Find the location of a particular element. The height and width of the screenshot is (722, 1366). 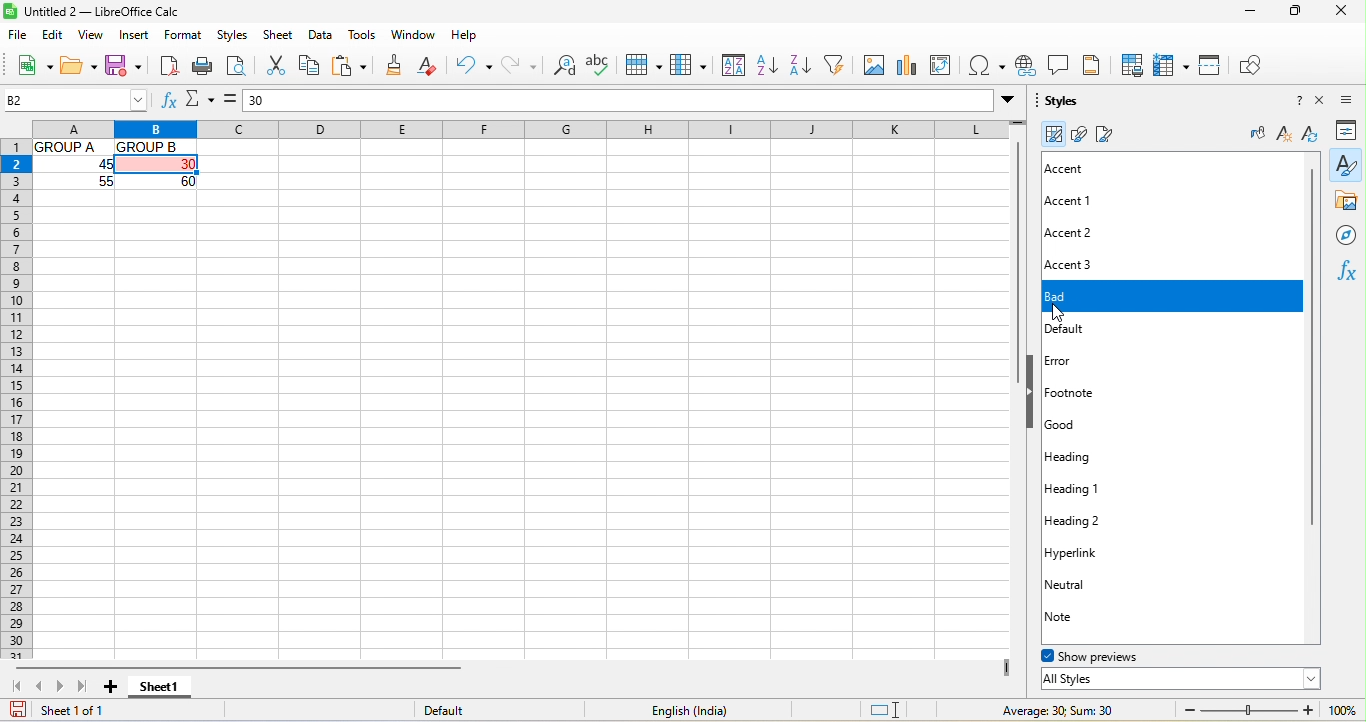

Group B is located at coordinates (153, 147).